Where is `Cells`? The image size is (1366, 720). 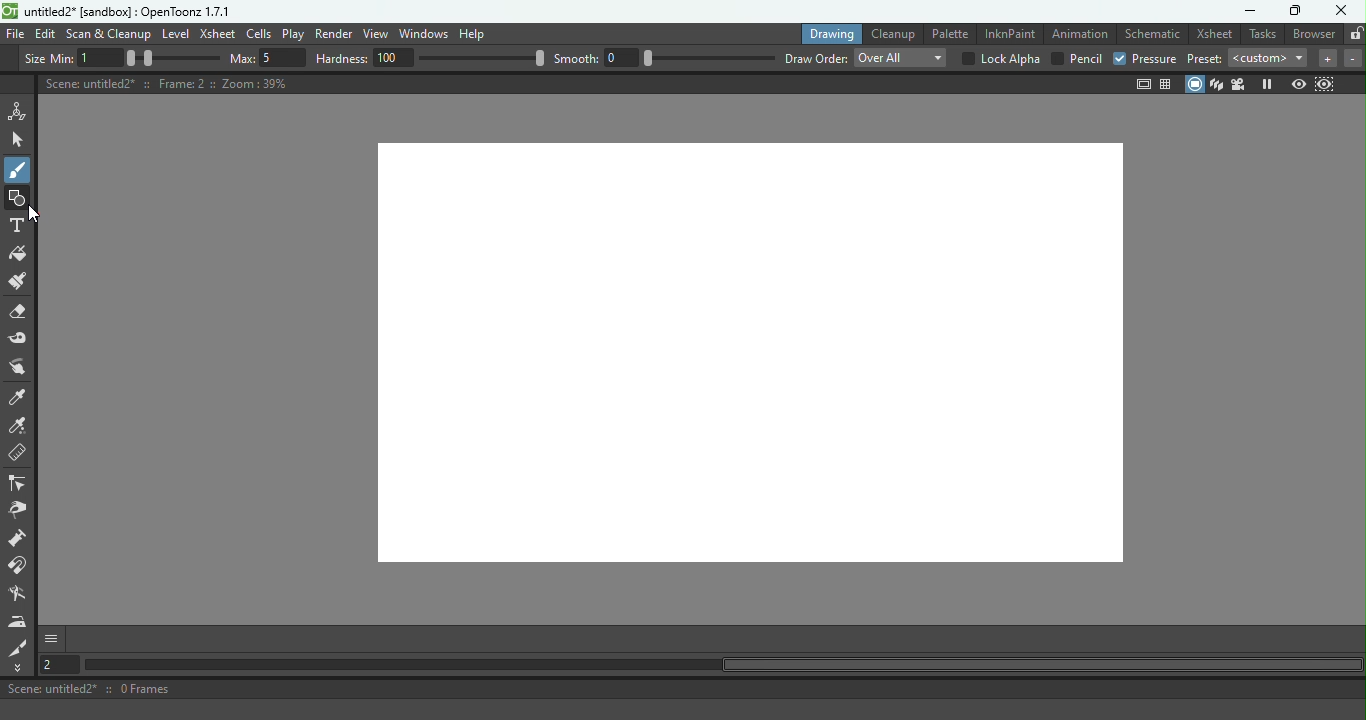
Cells is located at coordinates (258, 33).